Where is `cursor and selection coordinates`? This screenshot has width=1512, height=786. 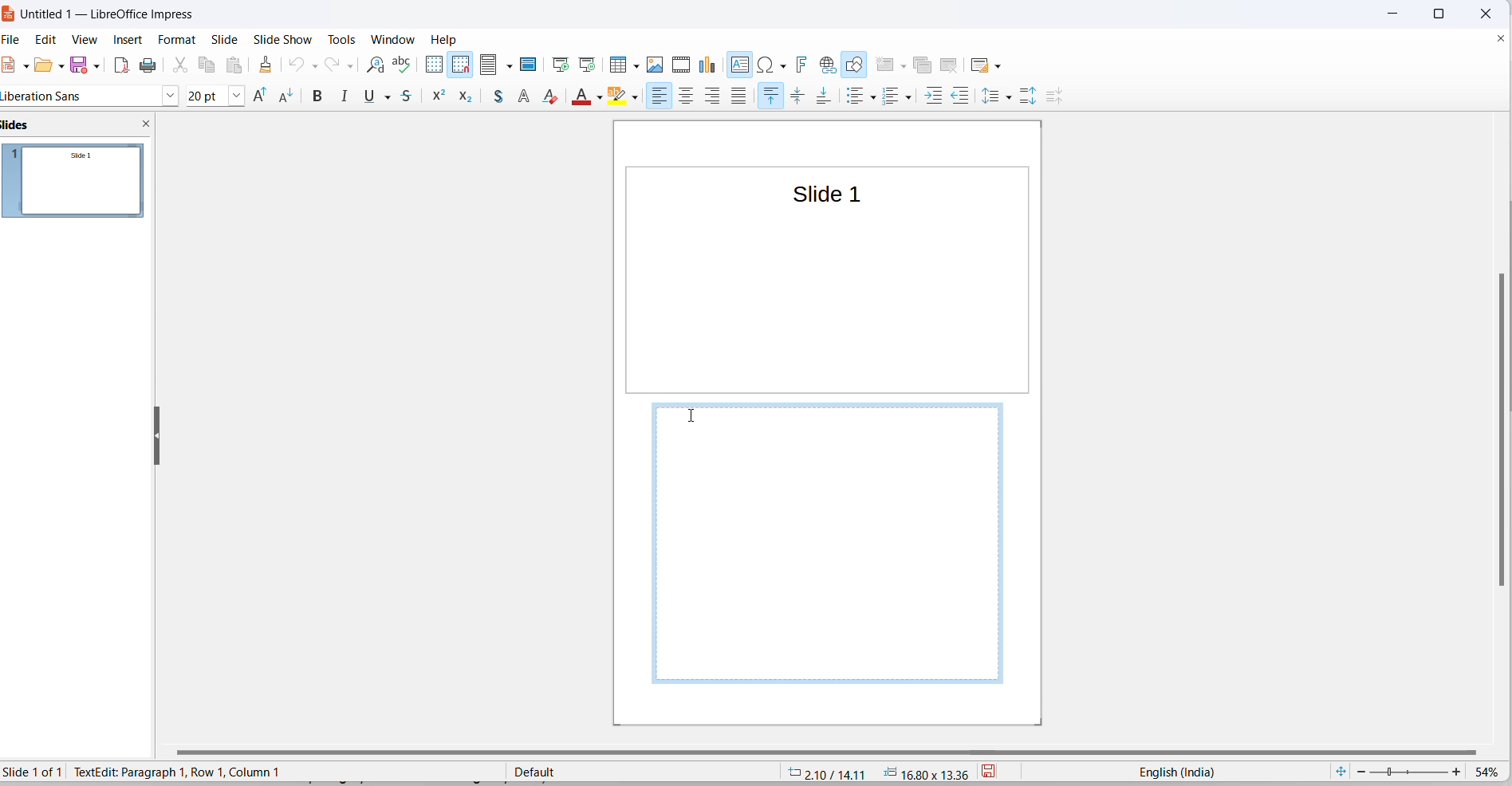
cursor and selection coordinates is located at coordinates (877, 772).